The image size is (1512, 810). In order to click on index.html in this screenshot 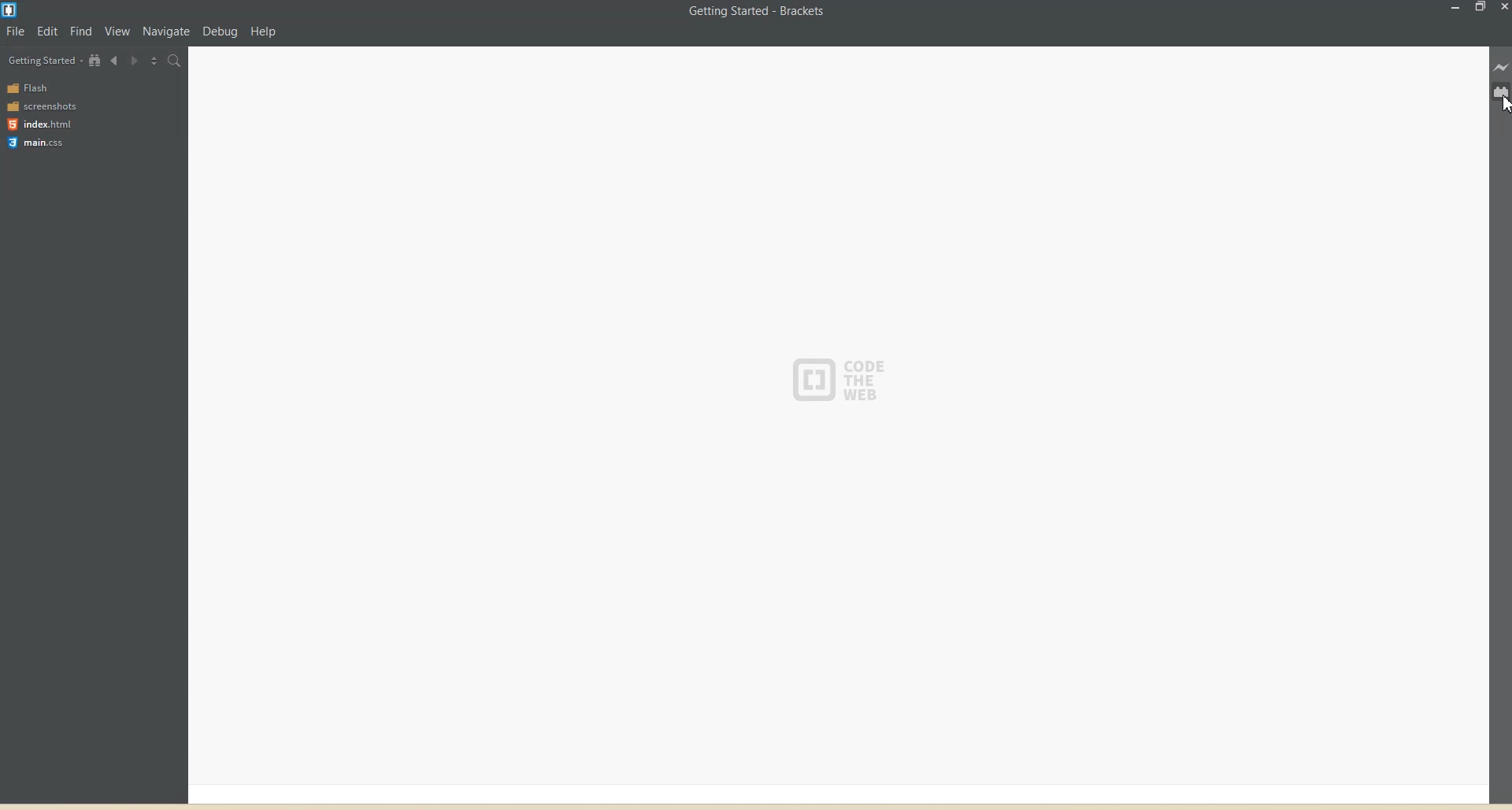, I will do `click(39, 124)`.